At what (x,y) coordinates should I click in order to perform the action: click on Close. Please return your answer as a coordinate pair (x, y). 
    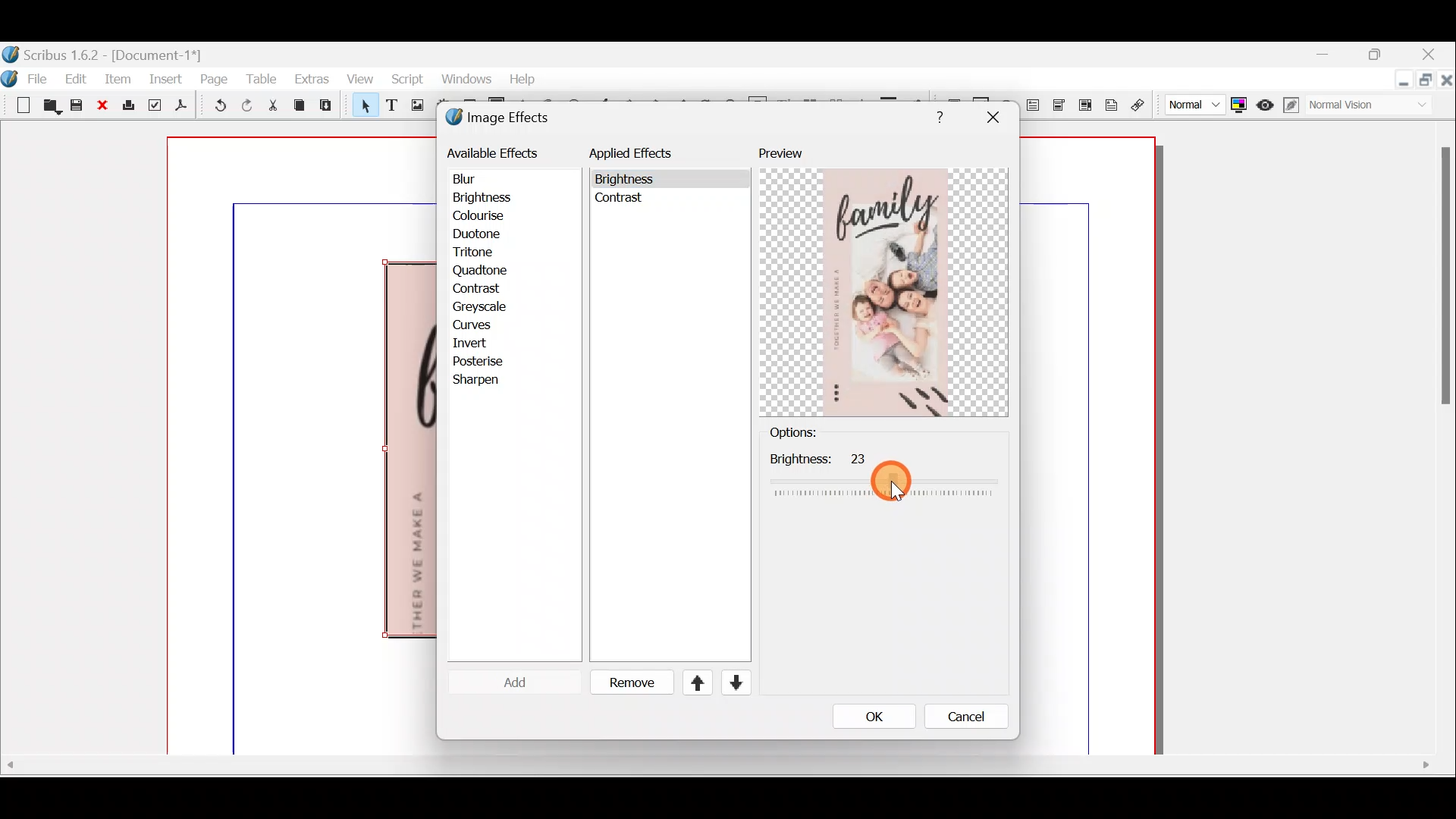
    Looking at the image, I should click on (1447, 83).